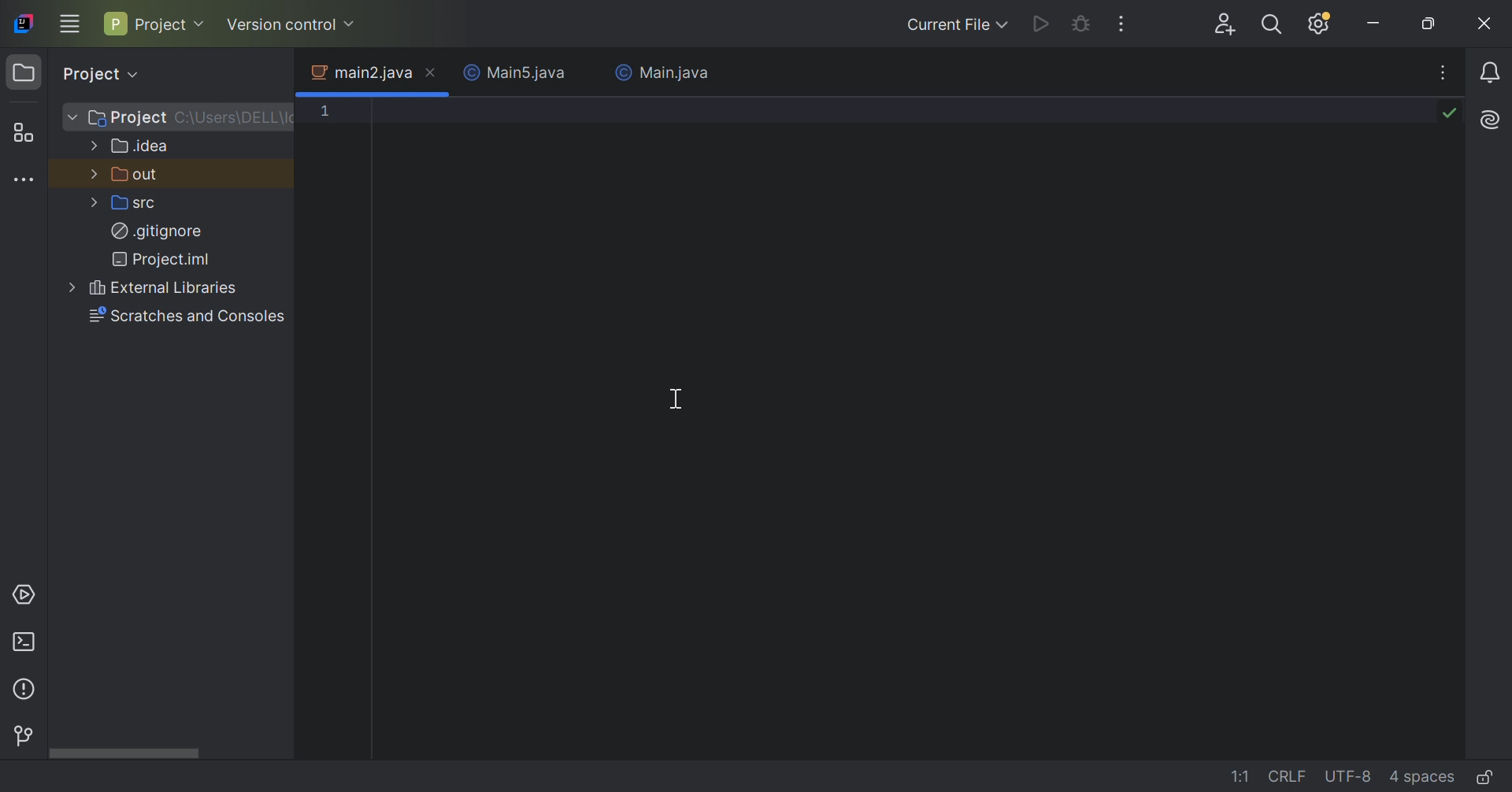 This screenshot has height=792, width=1512. Describe the element at coordinates (519, 72) in the screenshot. I see `Main5.java` at that location.